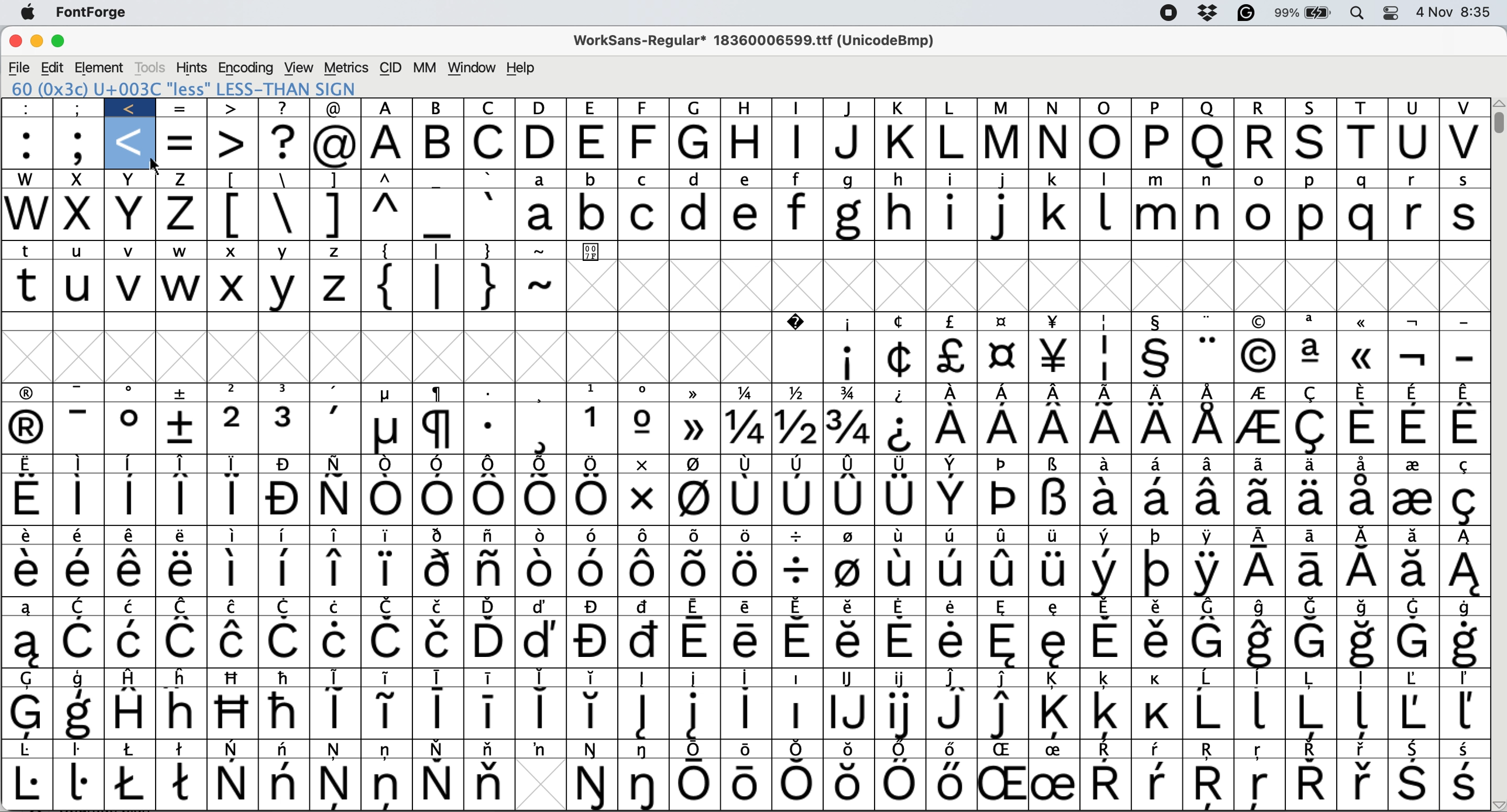 The height and width of the screenshot is (812, 1507). Describe the element at coordinates (232, 712) in the screenshot. I see `Symbol` at that location.